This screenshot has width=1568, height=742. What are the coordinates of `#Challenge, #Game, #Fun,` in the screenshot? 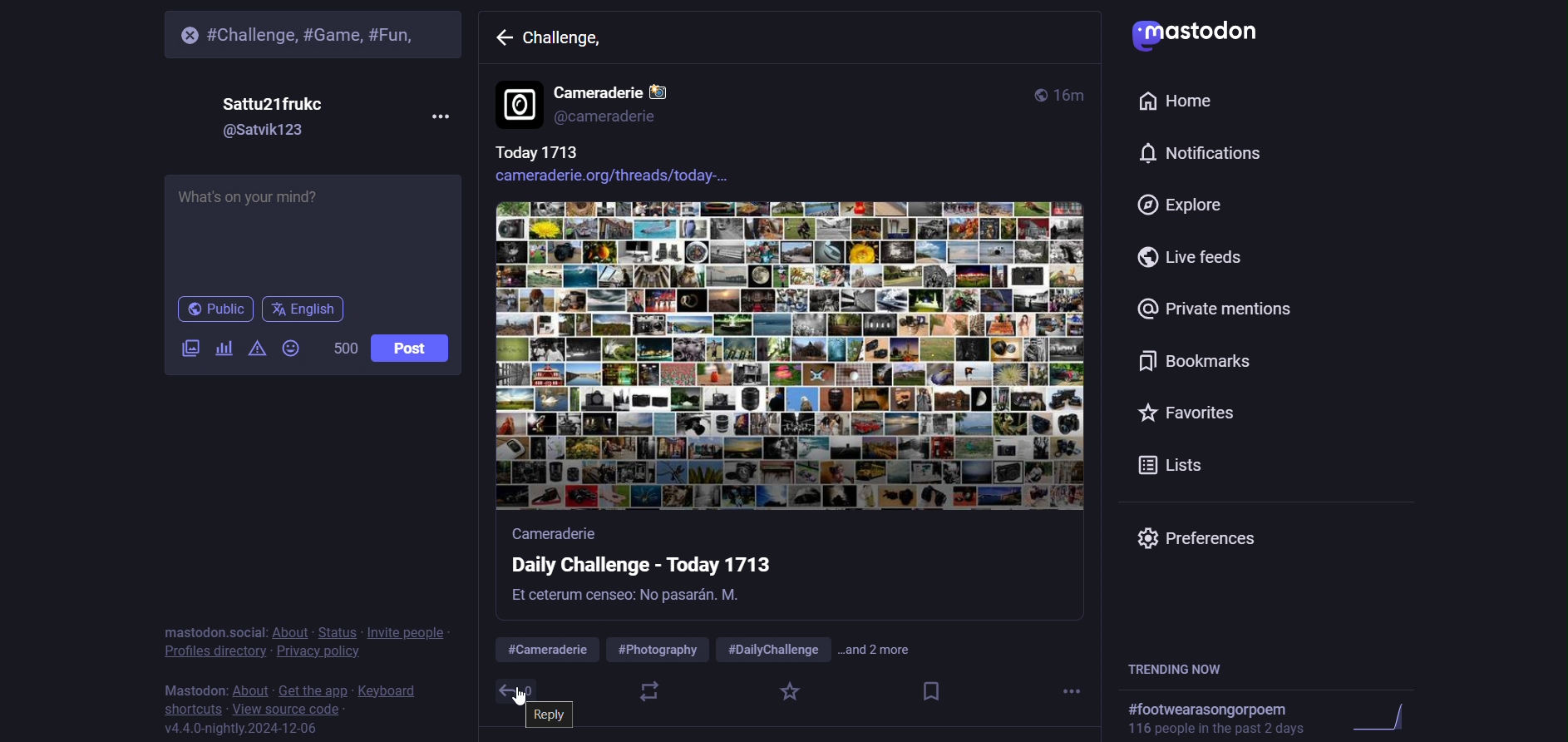 It's located at (318, 33).